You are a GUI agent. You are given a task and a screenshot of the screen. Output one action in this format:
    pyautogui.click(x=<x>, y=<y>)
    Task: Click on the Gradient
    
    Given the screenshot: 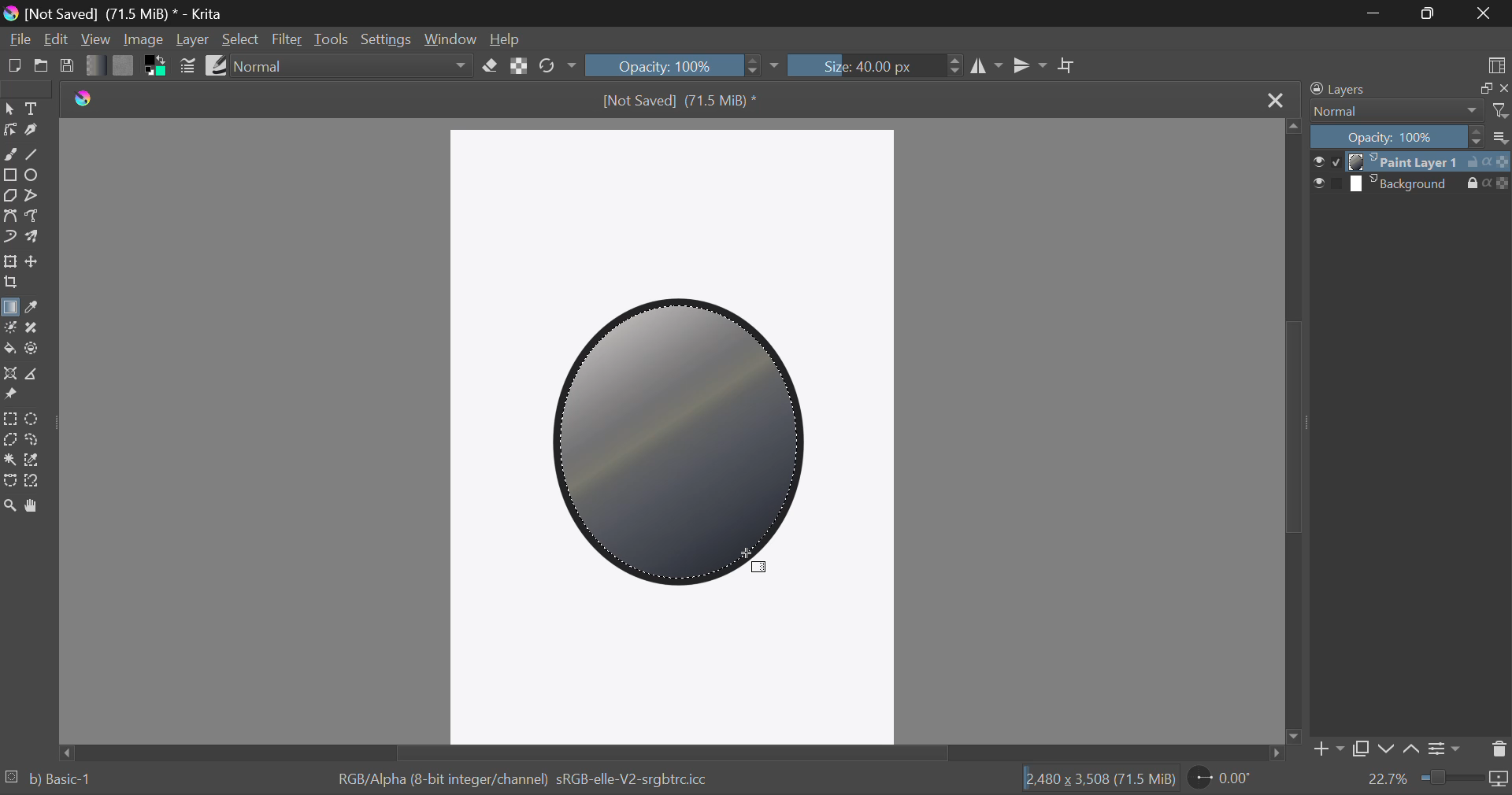 What is the action you would take?
    pyautogui.click(x=99, y=68)
    